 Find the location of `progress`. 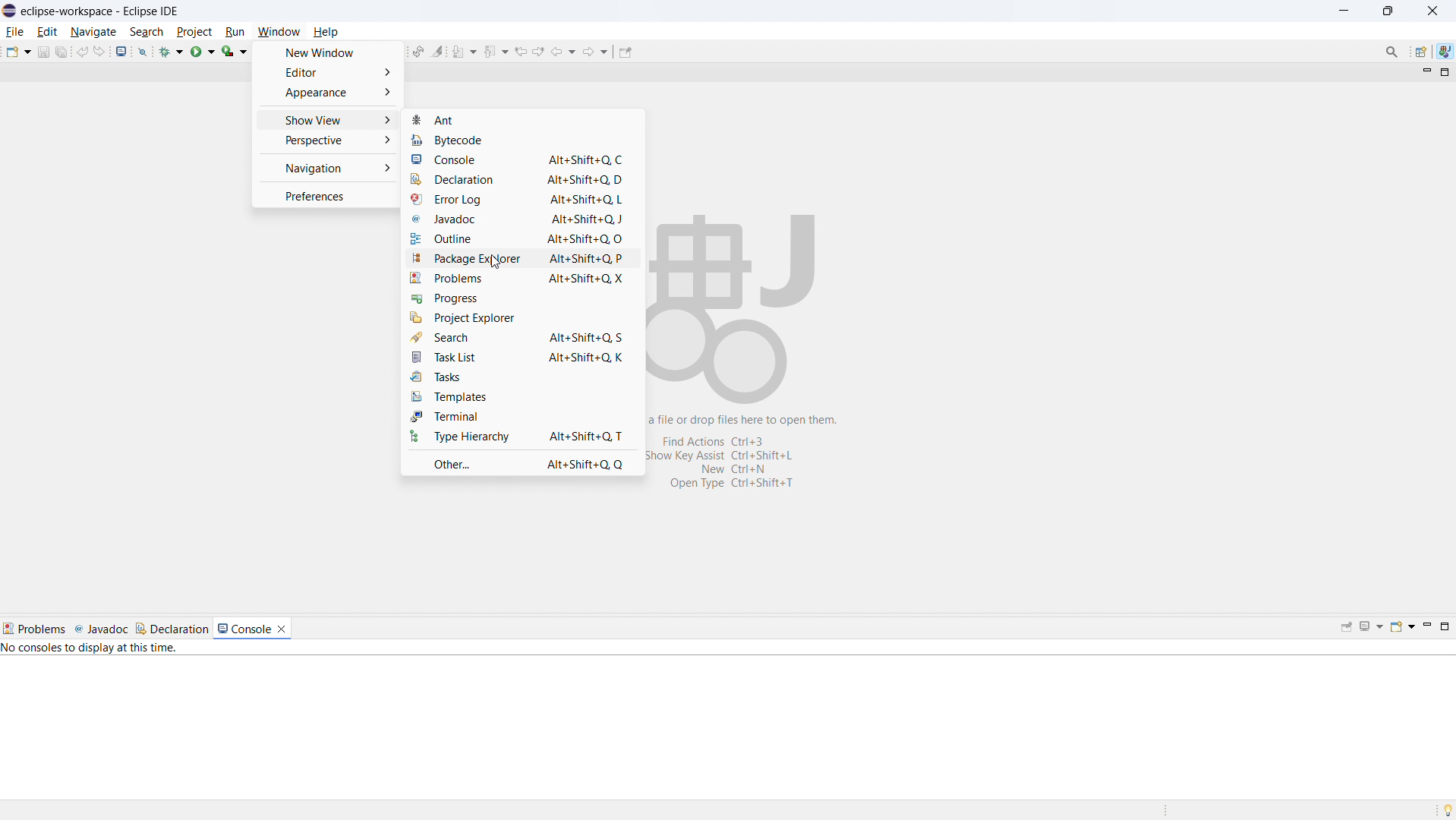

progress is located at coordinates (522, 298).